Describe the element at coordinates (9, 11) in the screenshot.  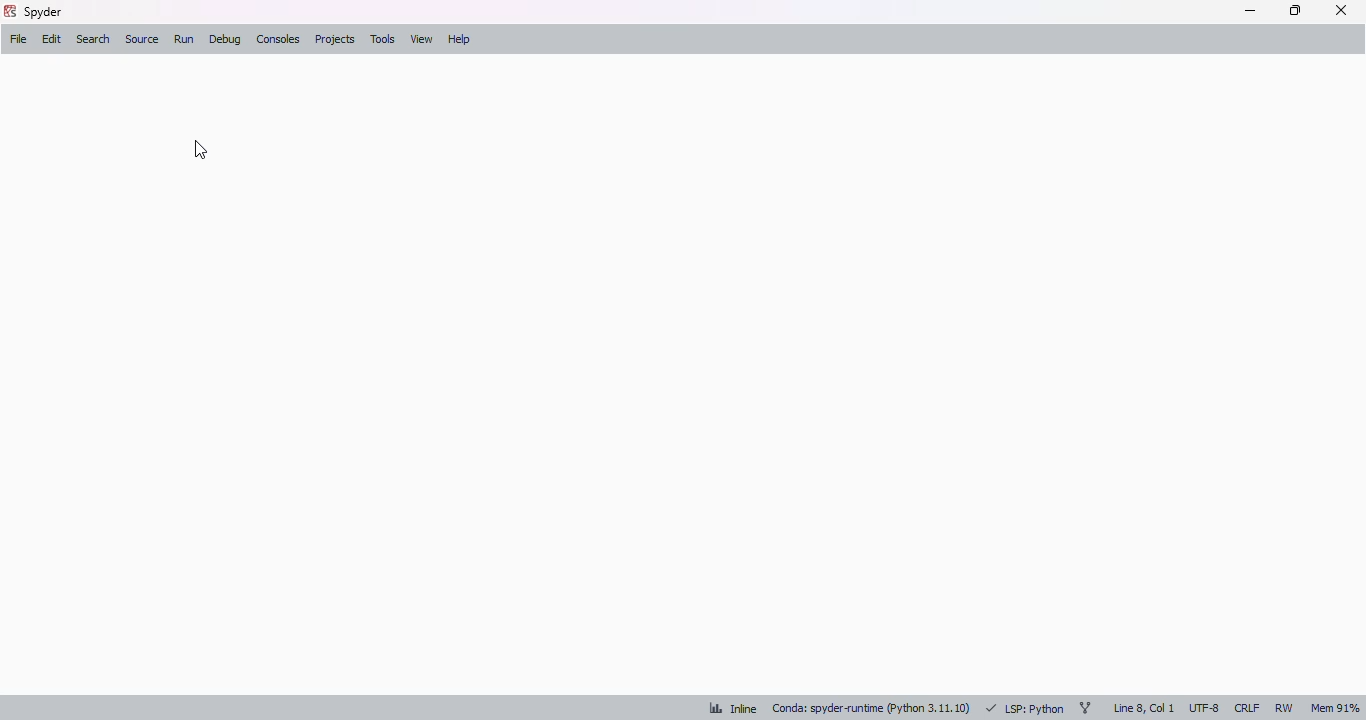
I see `logo` at that location.